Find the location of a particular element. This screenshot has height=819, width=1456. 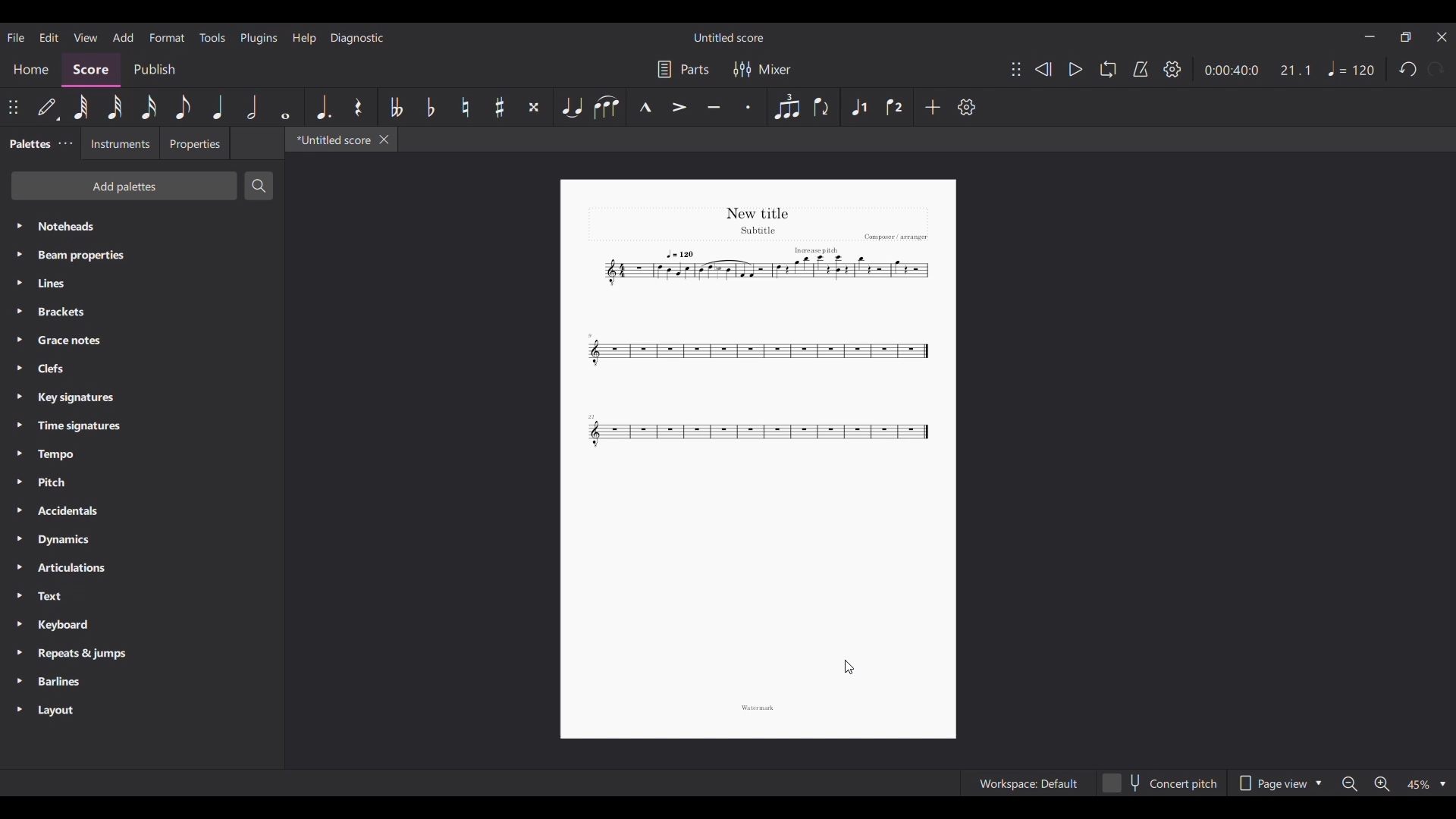

Toggle natural is located at coordinates (466, 107).